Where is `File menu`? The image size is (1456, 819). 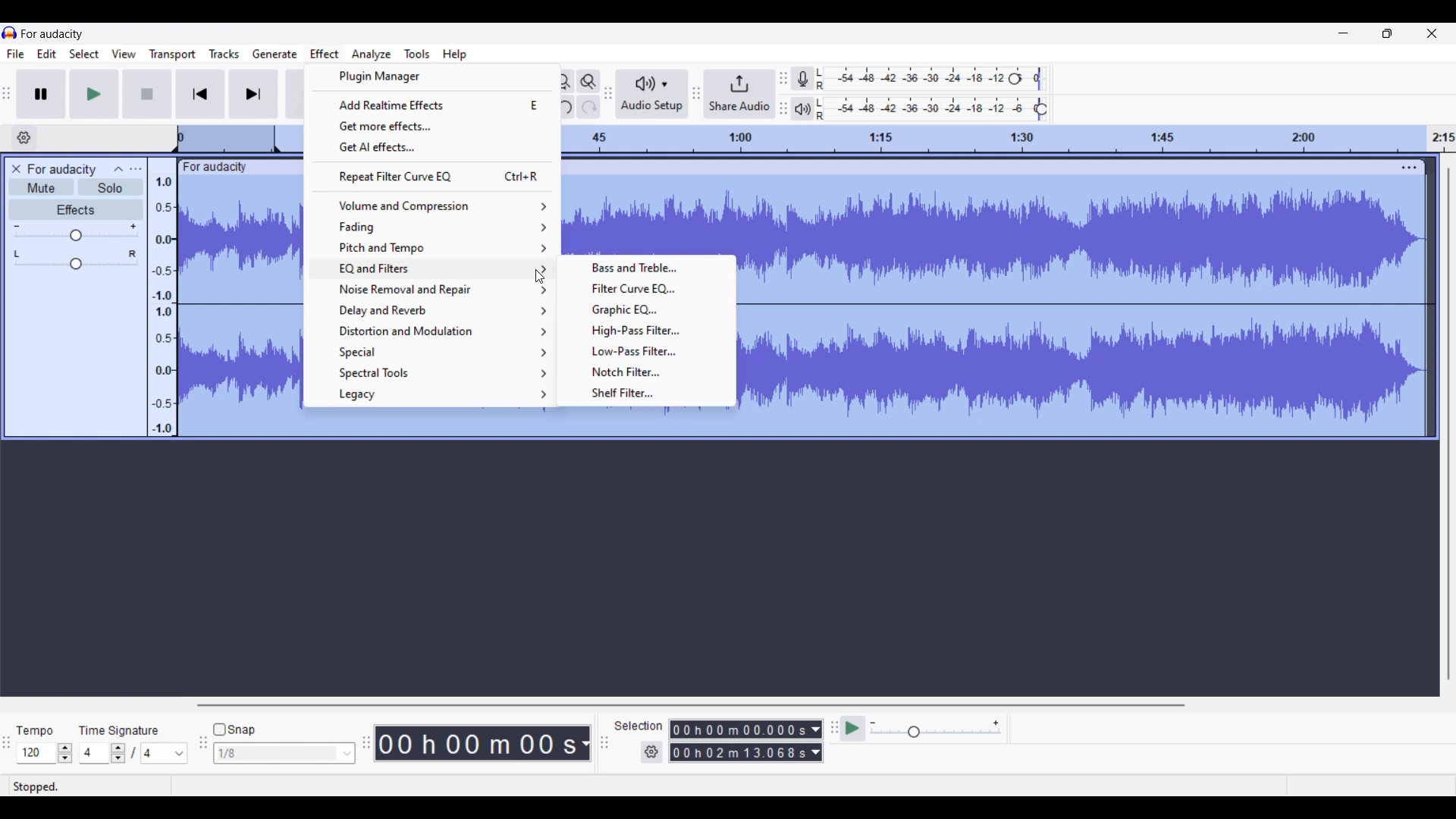 File menu is located at coordinates (15, 55).